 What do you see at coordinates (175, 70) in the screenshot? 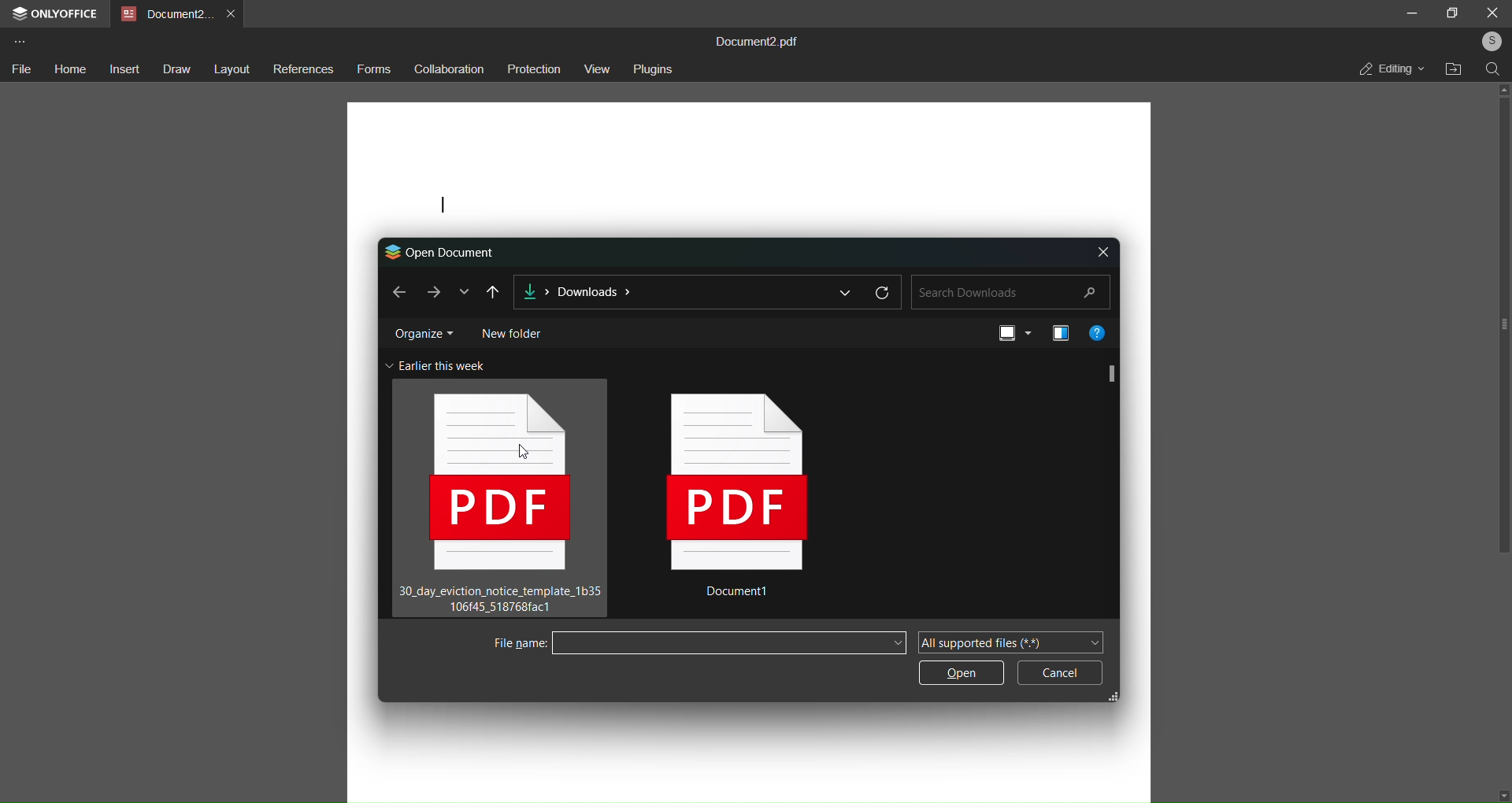
I see `draw` at bounding box center [175, 70].